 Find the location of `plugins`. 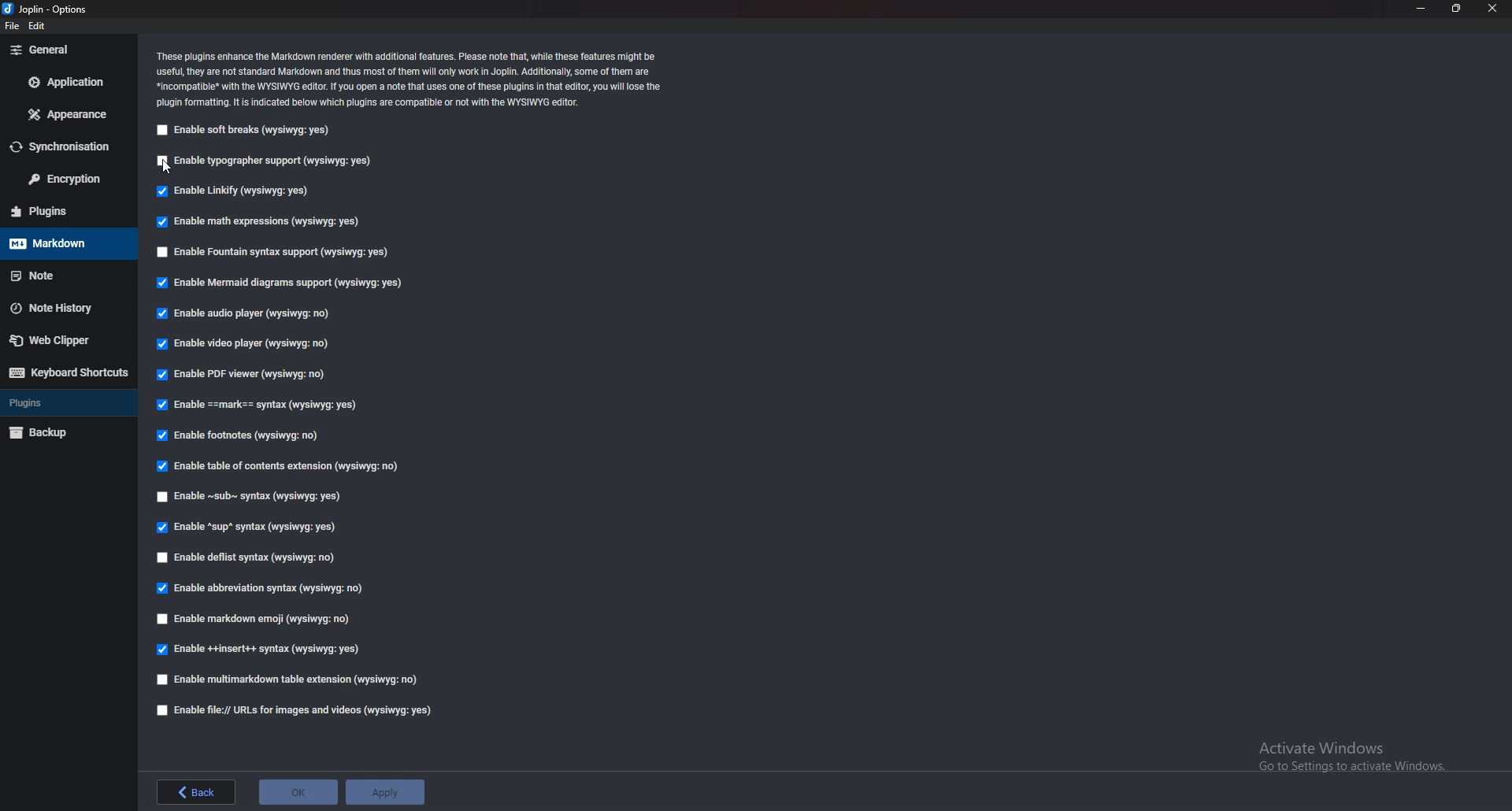

plugins is located at coordinates (67, 403).